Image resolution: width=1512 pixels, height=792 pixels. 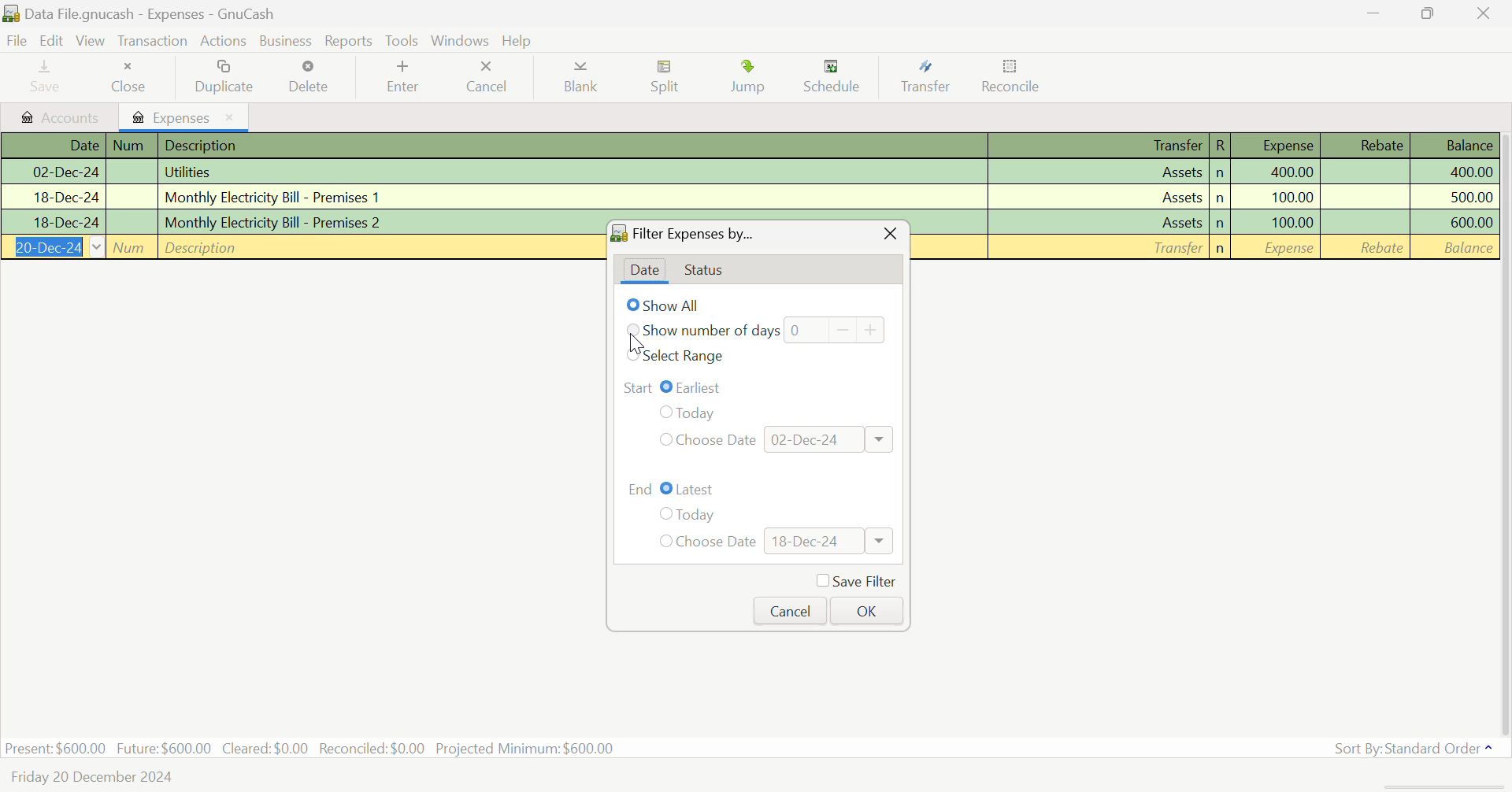 What do you see at coordinates (132, 146) in the screenshot?
I see `Num` at bounding box center [132, 146].